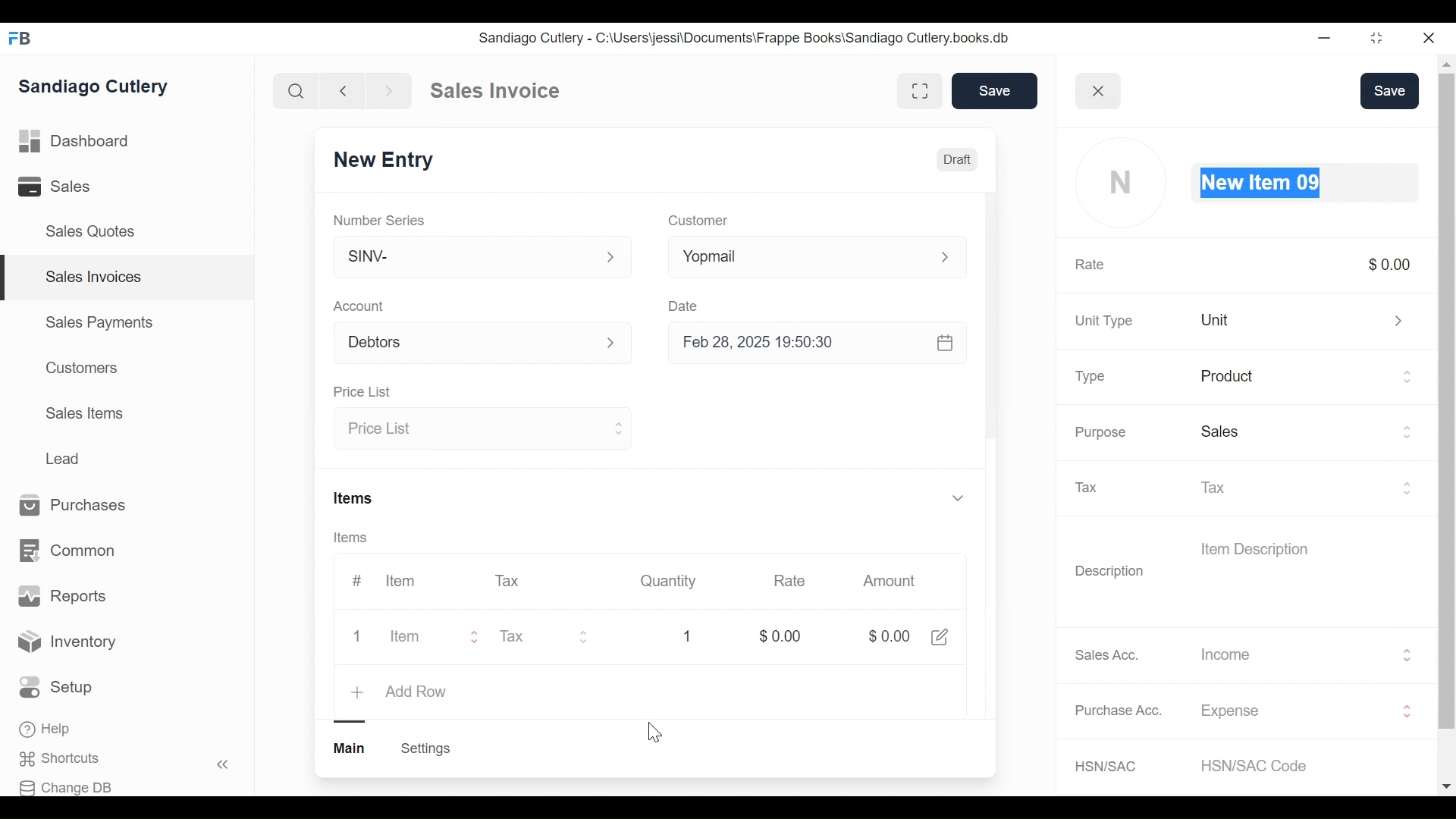 The height and width of the screenshot is (819, 1456). Describe the element at coordinates (1124, 184) in the screenshot. I see `profile` at that location.